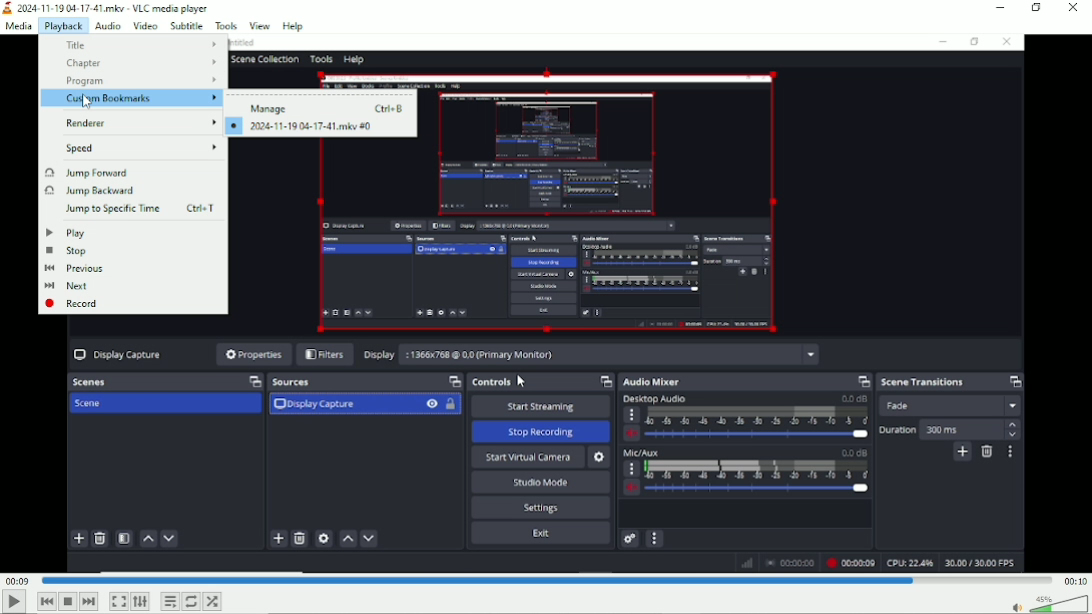  Describe the element at coordinates (1044, 604) in the screenshot. I see `Volume` at that location.